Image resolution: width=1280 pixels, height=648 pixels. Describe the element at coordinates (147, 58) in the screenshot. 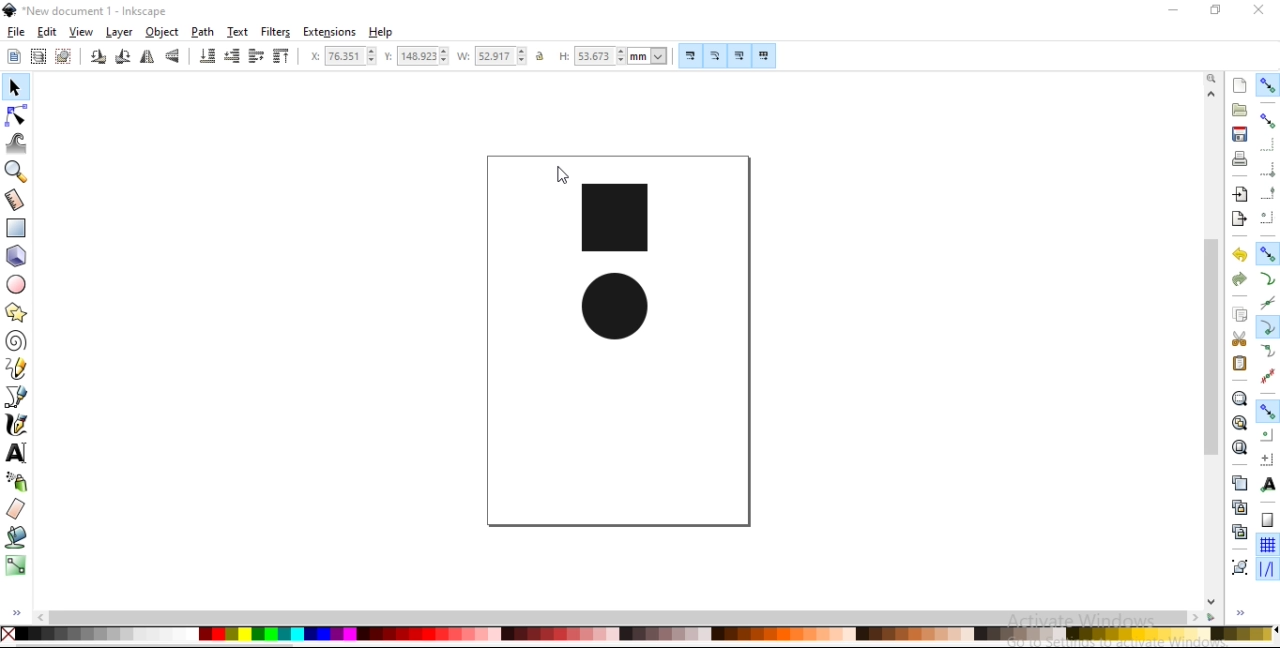

I see `flip horizontal` at that location.